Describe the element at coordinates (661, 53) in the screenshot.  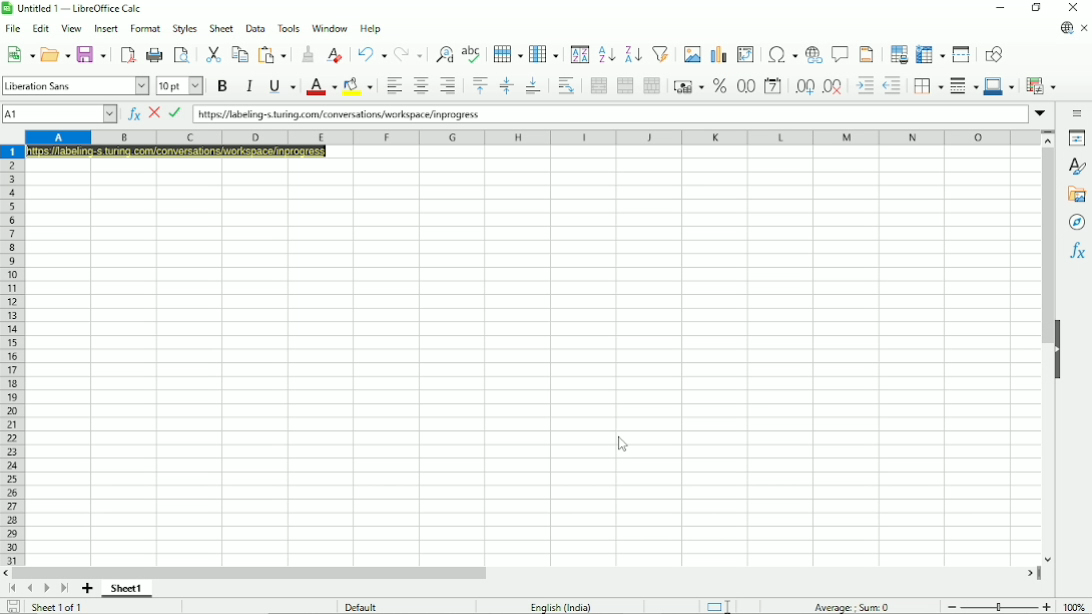
I see `Autofilter` at that location.